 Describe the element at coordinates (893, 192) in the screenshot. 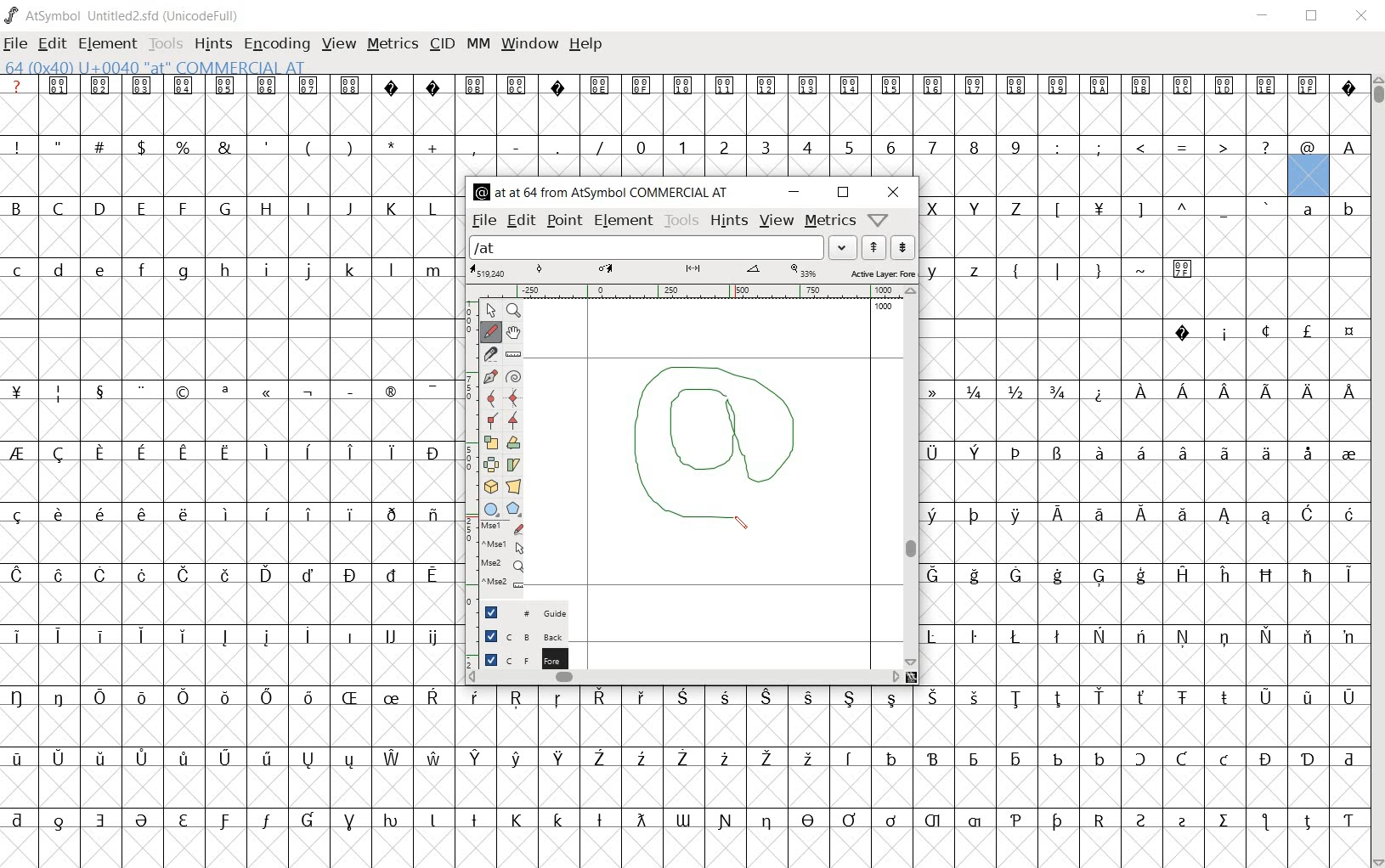

I see `close` at that location.